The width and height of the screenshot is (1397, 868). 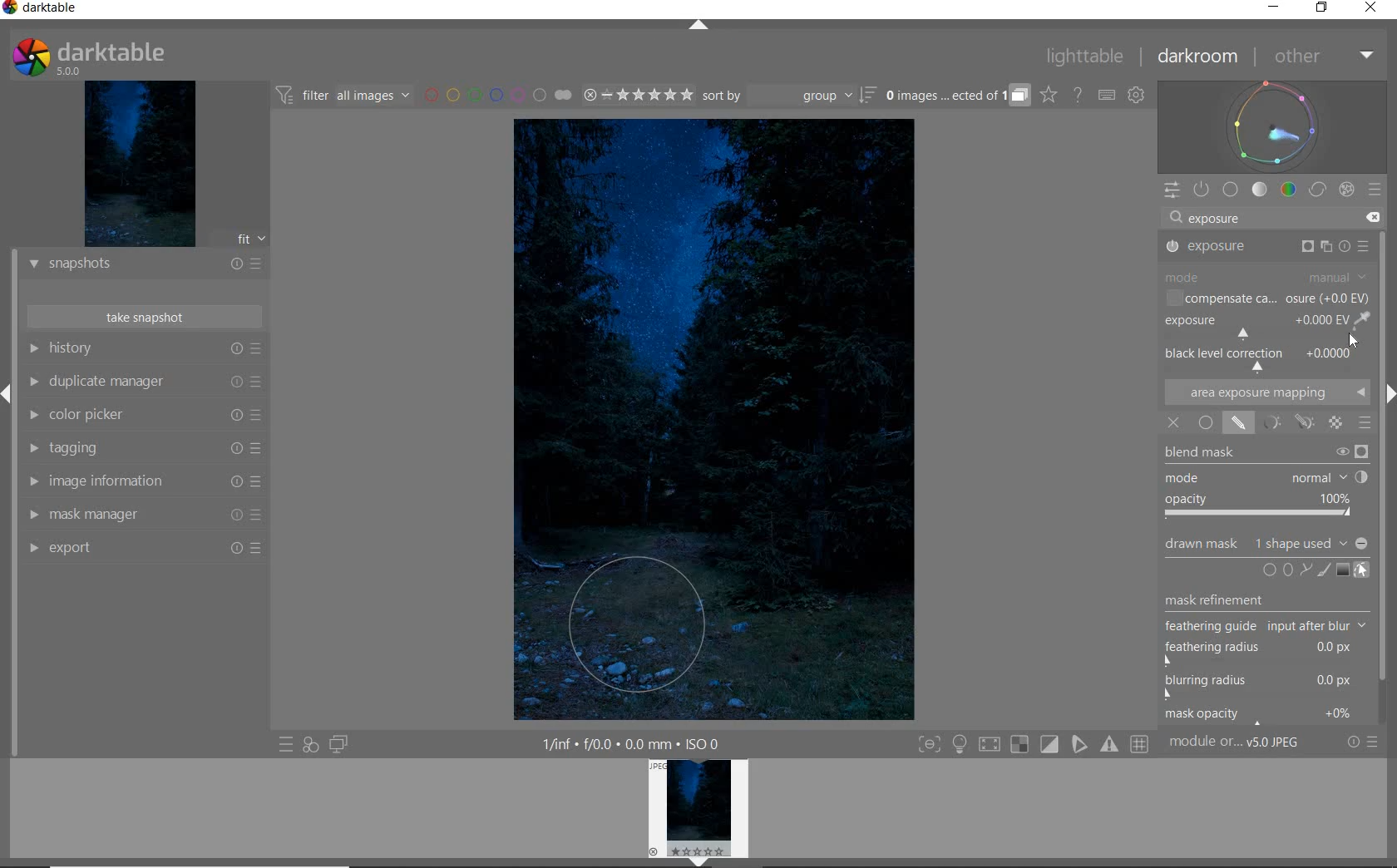 I want to click on EXPOSURE, so click(x=1267, y=325).